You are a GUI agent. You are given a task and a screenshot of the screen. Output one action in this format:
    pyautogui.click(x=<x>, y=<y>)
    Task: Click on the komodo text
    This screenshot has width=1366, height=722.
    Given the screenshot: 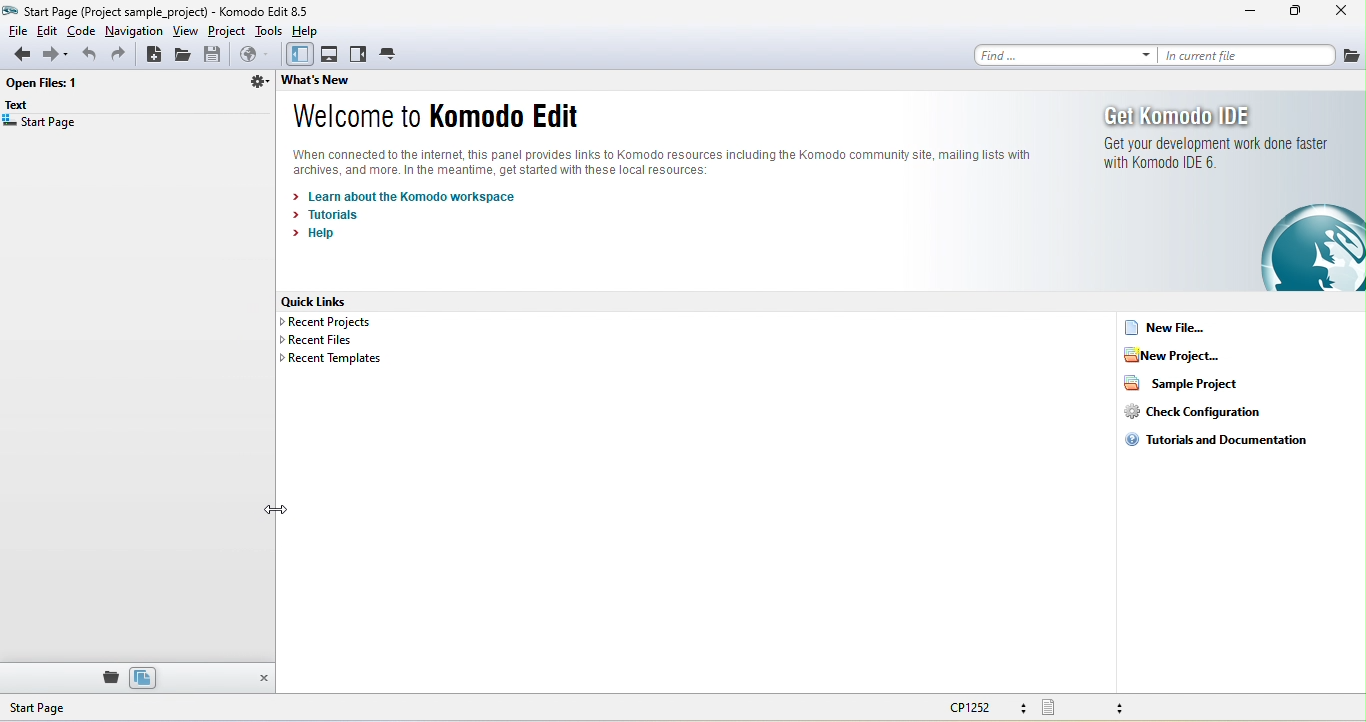 What is the action you would take?
    pyautogui.click(x=681, y=162)
    